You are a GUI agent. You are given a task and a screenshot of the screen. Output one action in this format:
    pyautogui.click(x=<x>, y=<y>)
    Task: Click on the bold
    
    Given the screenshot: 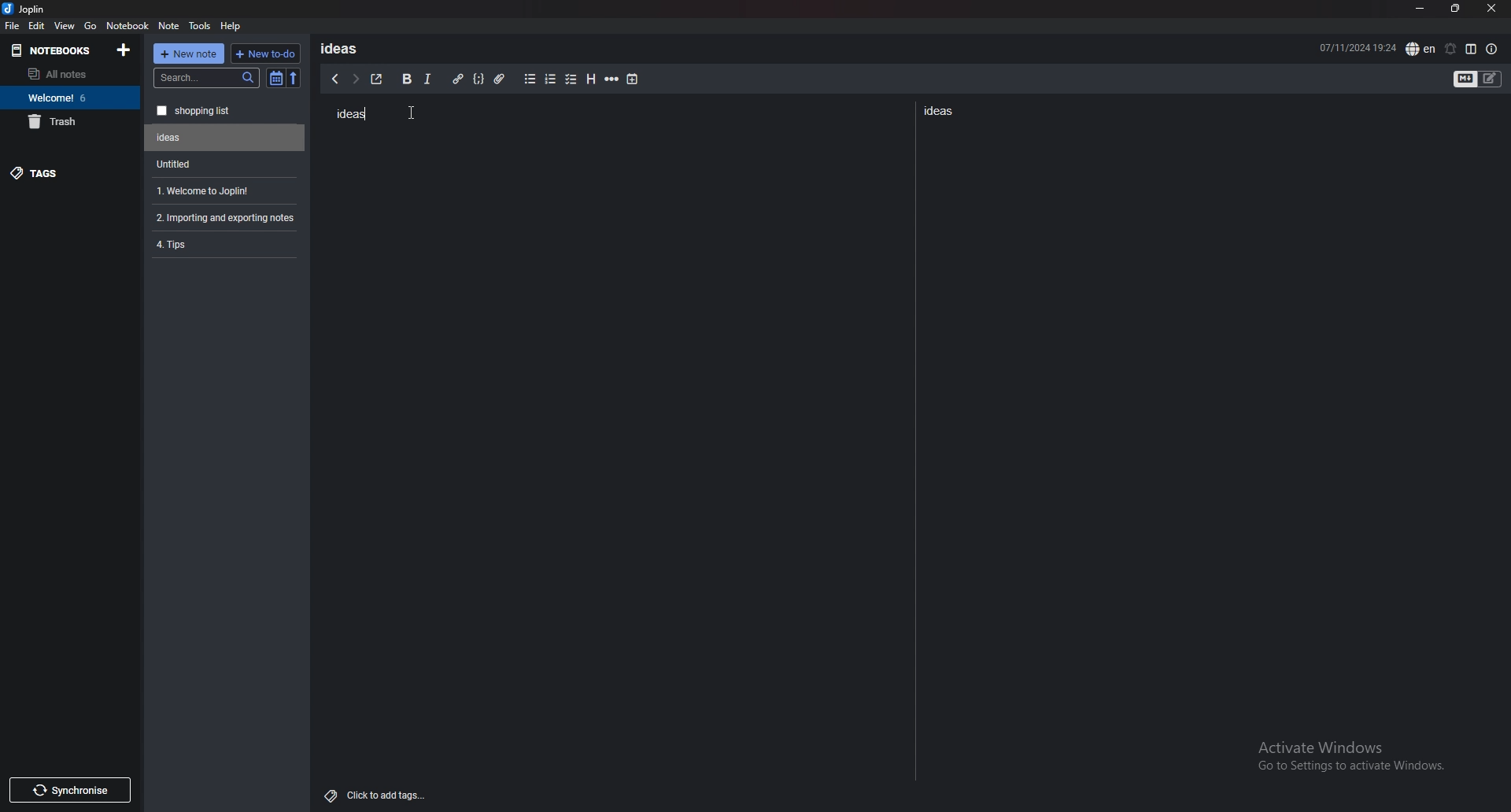 What is the action you would take?
    pyautogui.click(x=405, y=79)
    